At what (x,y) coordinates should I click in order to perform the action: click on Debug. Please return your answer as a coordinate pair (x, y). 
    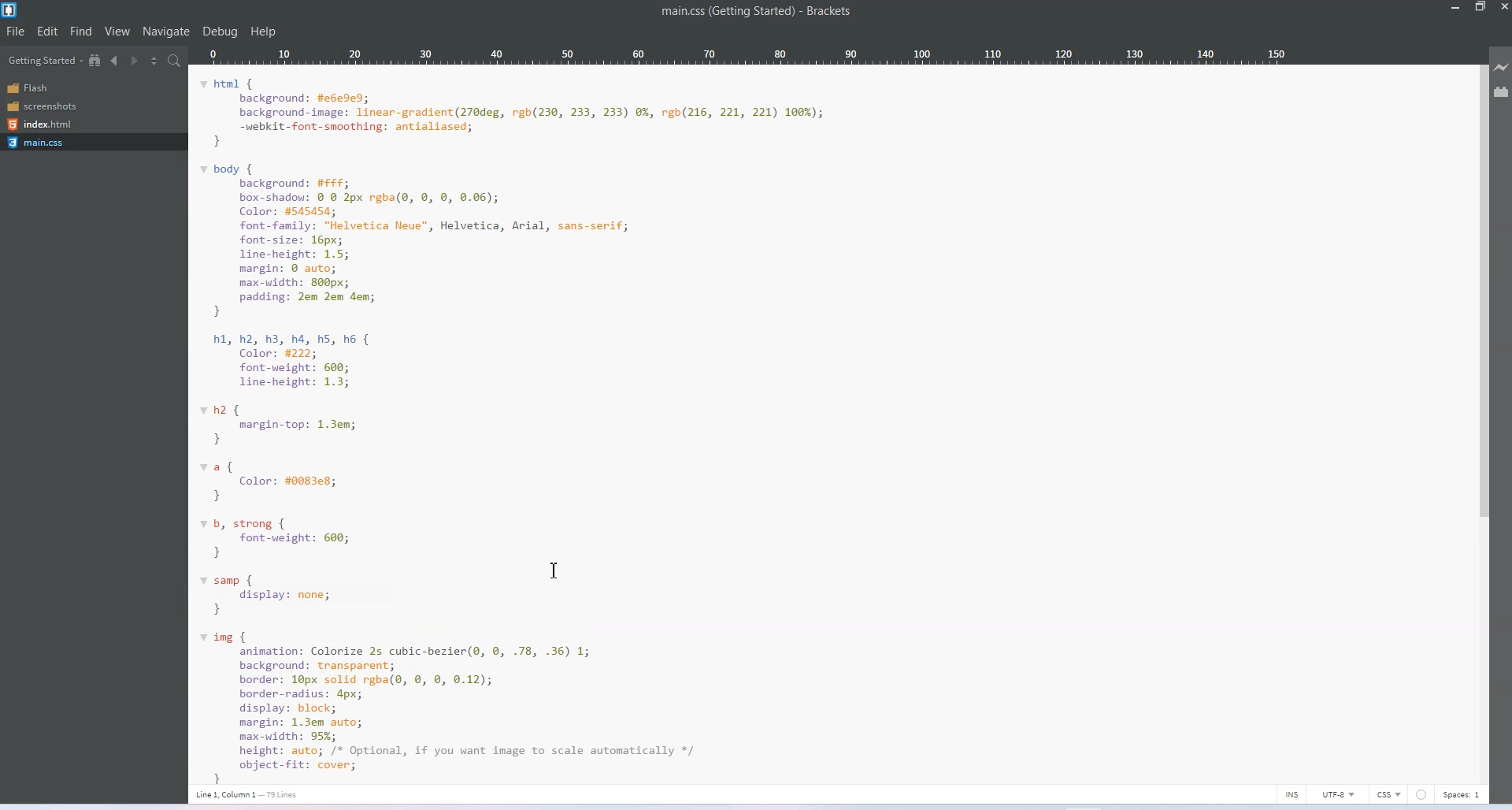
    Looking at the image, I should click on (220, 32).